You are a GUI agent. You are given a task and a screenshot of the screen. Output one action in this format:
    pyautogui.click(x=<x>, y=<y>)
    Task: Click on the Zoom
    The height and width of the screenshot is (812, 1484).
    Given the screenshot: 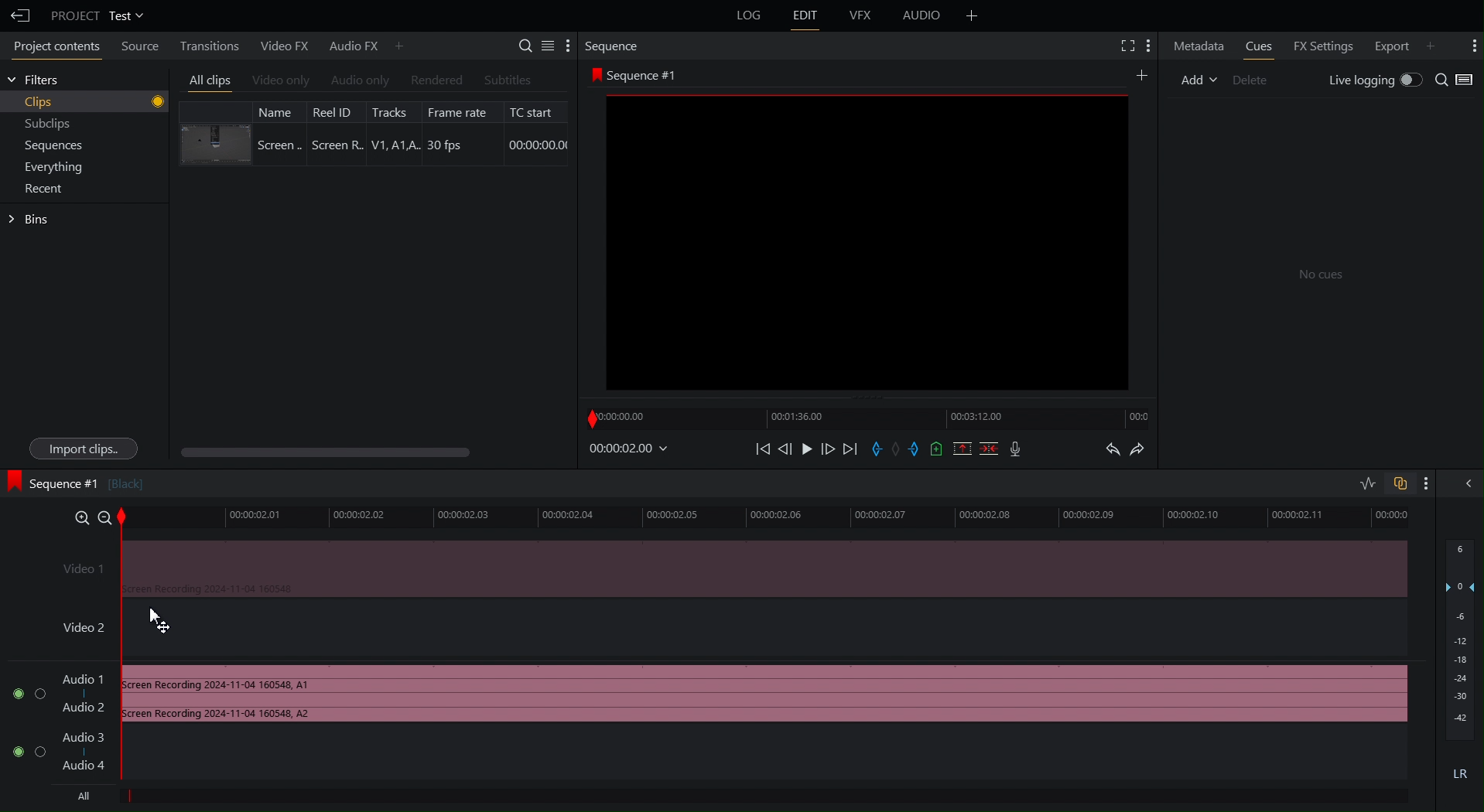 What is the action you would take?
    pyautogui.click(x=92, y=517)
    